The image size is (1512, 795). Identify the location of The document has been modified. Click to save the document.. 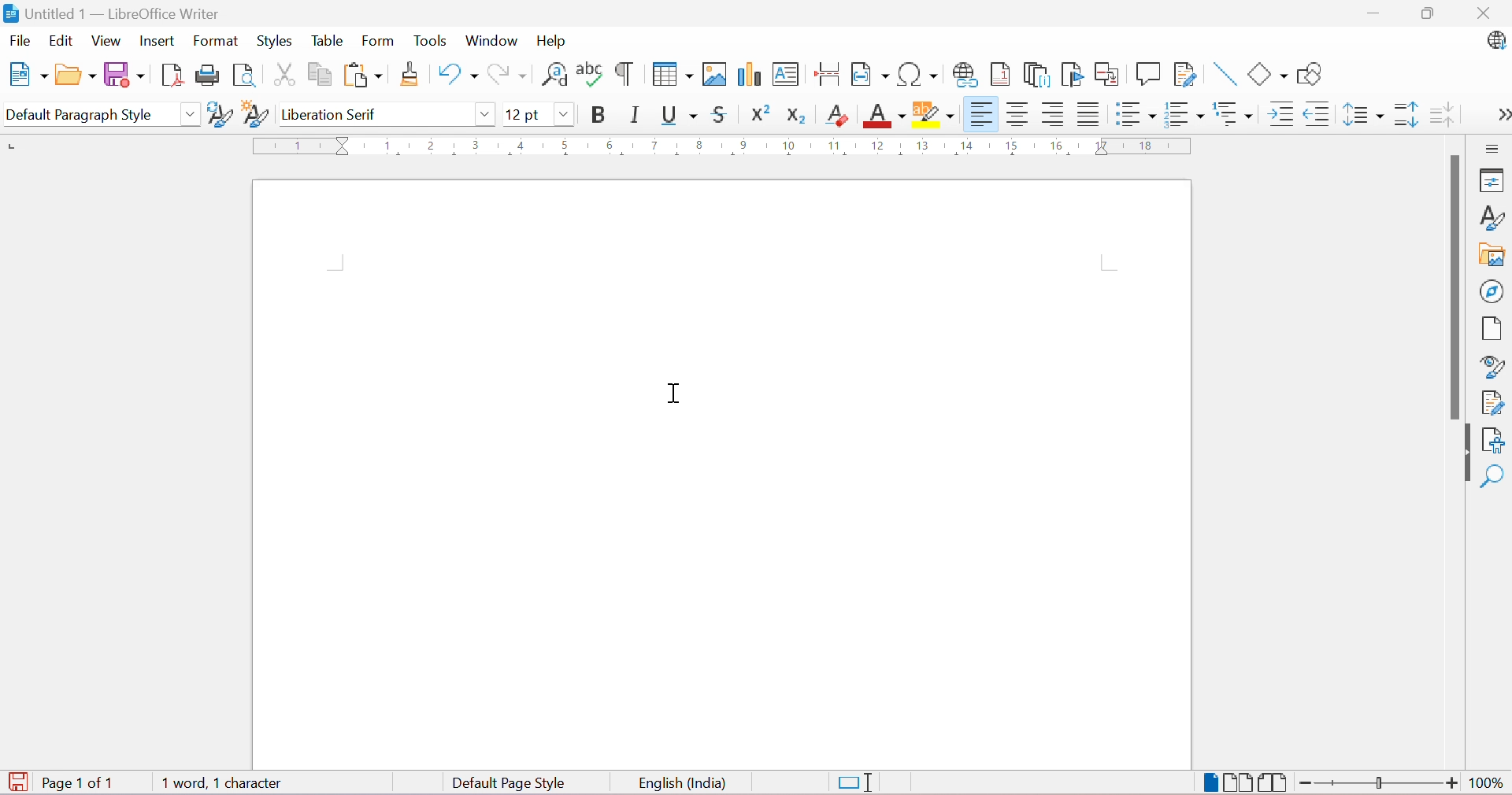
(17, 781).